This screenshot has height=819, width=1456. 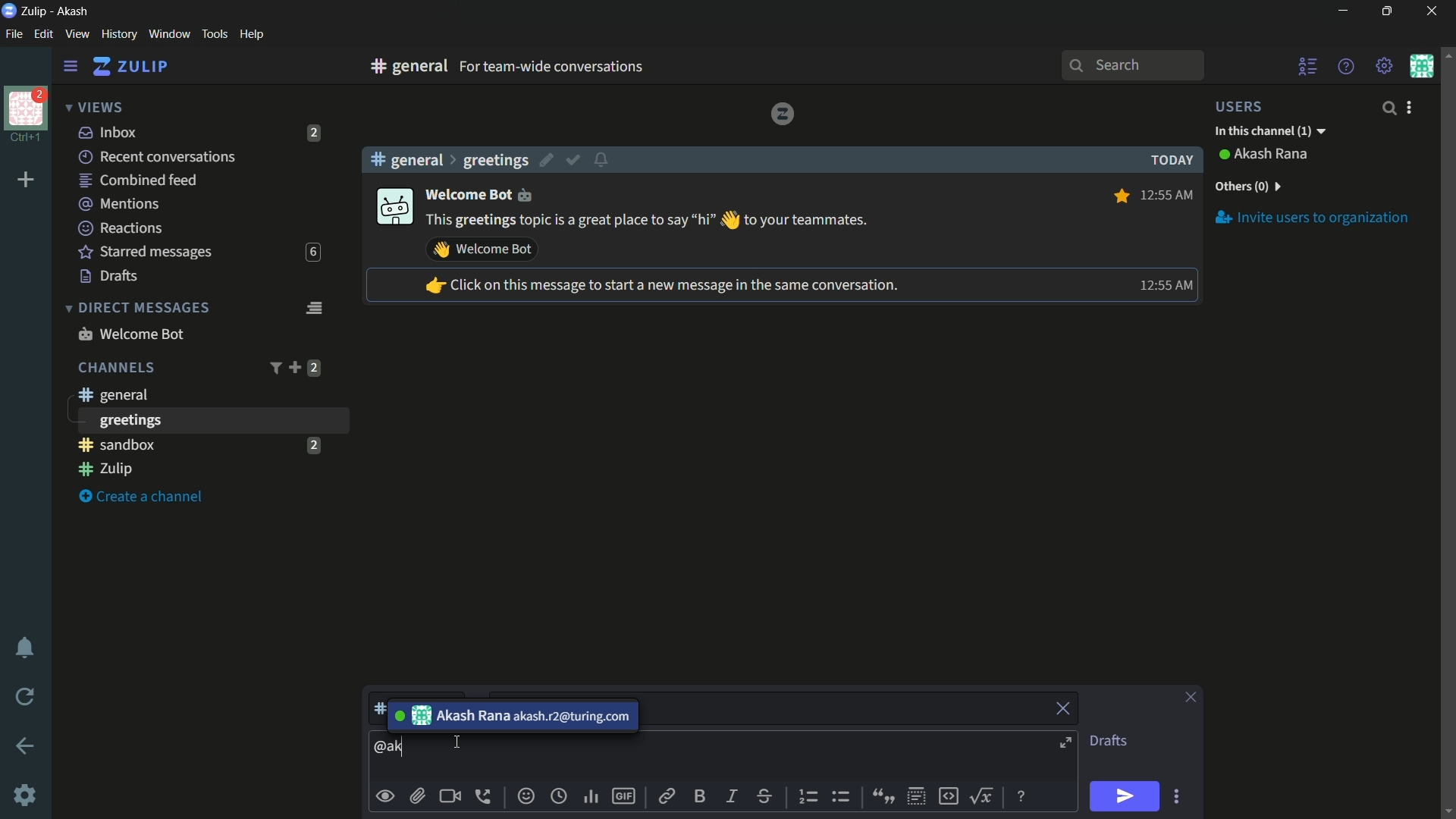 I want to click on upload files, so click(x=417, y=796).